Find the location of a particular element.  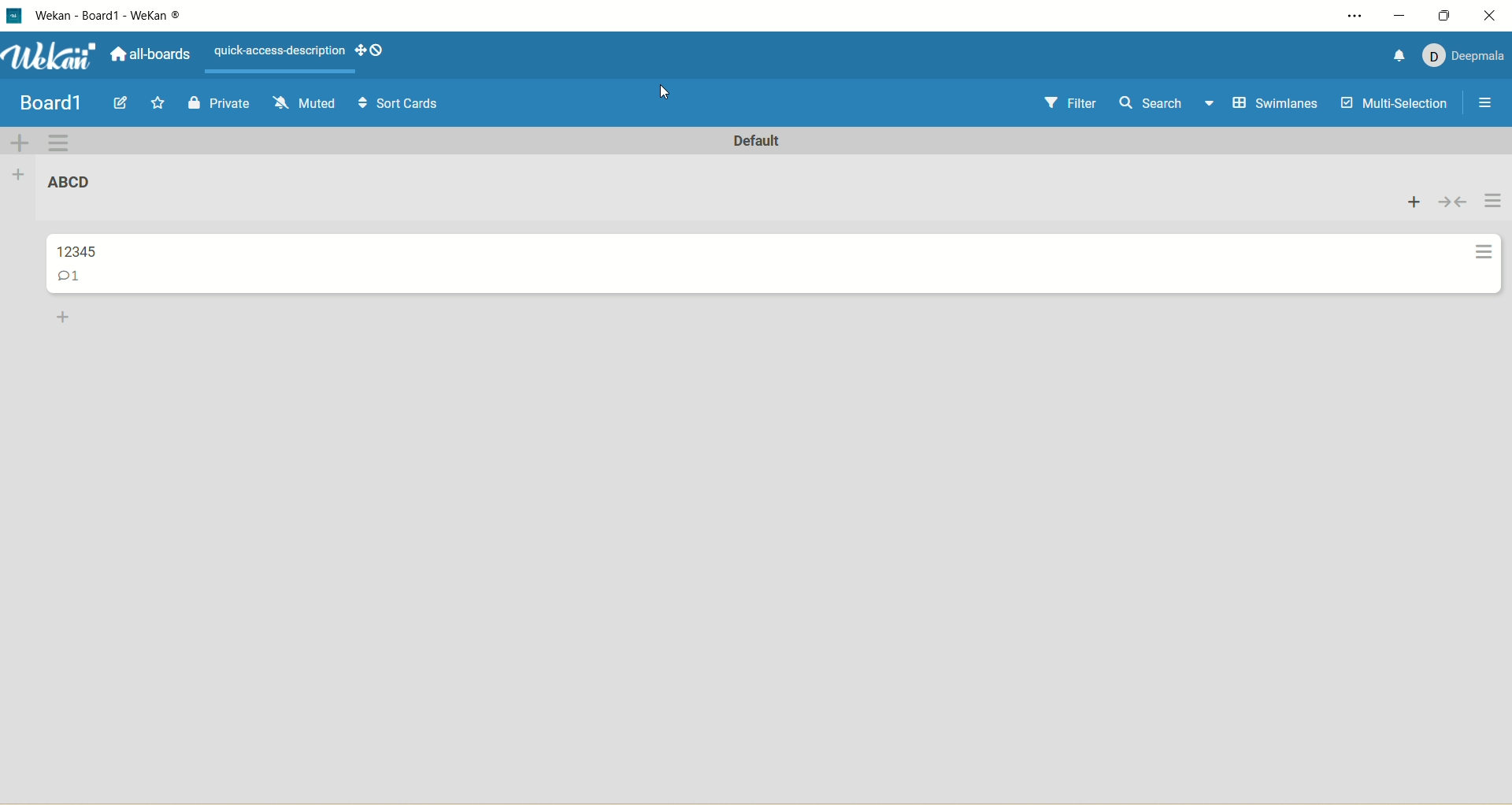

filter is located at coordinates (1067, 105).